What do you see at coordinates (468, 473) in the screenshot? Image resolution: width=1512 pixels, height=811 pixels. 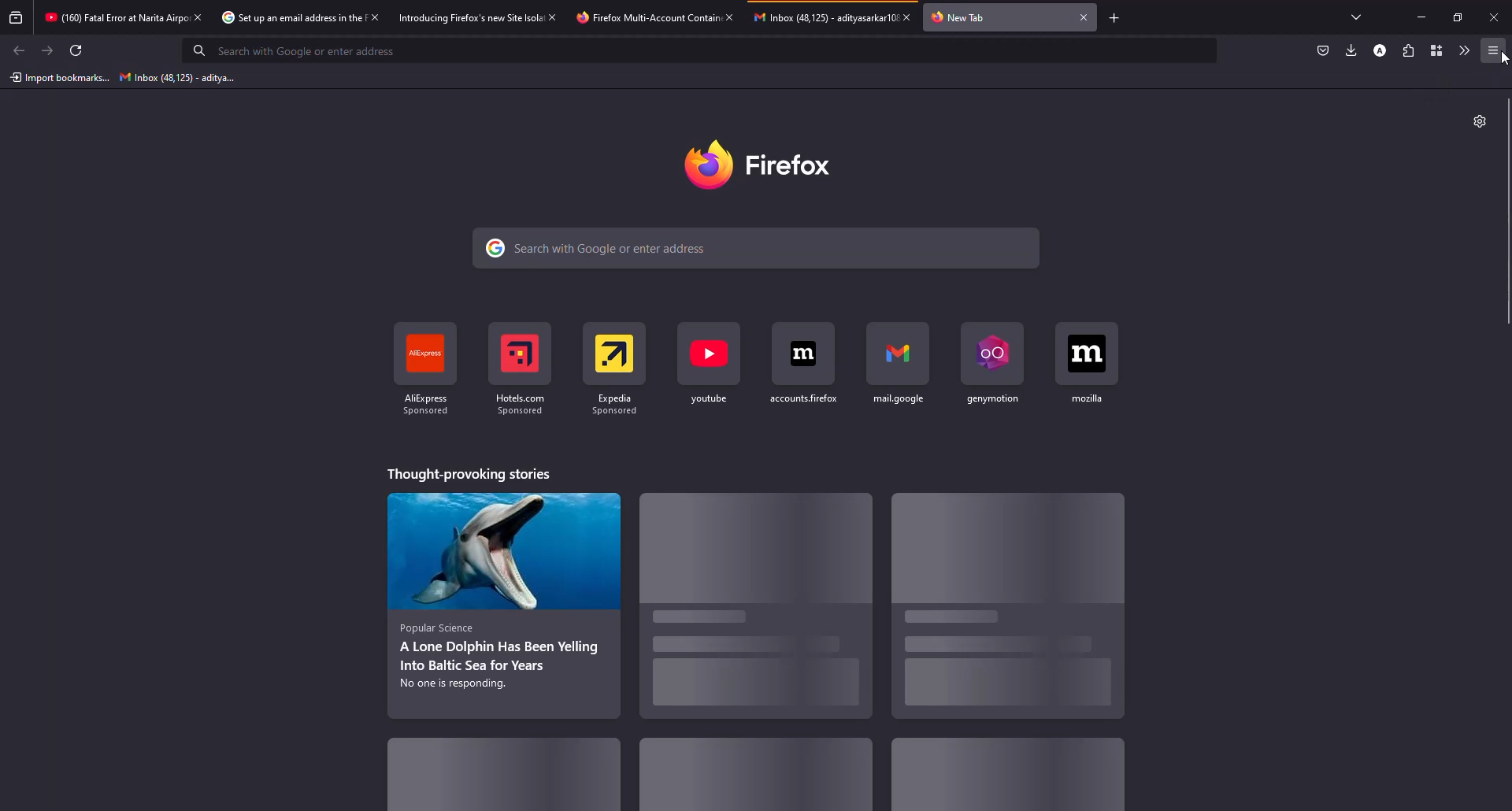 I see `stories` at bounding box center [468, 473].